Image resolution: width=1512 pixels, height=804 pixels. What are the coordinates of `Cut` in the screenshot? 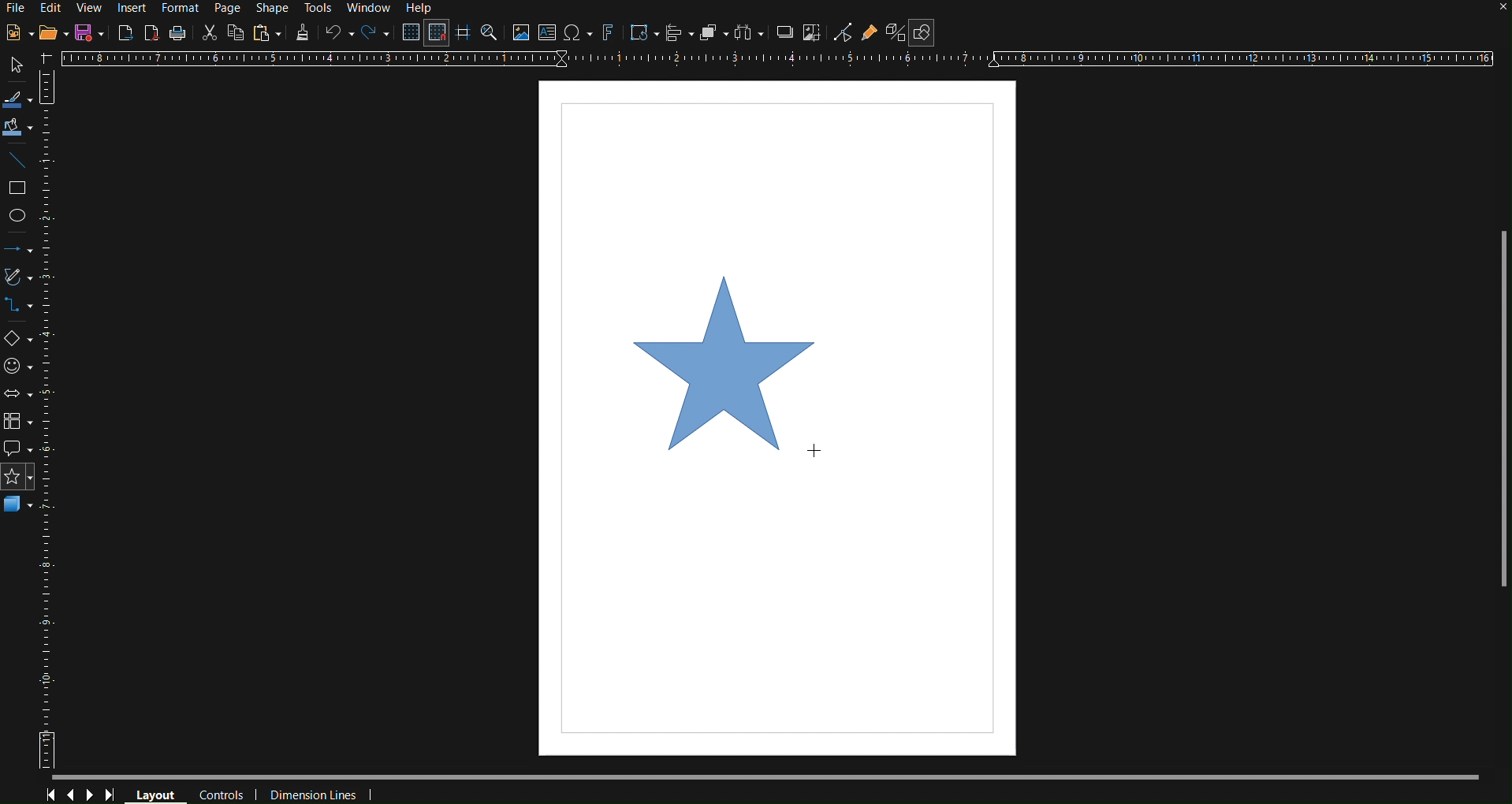 It's located at (207, 32).